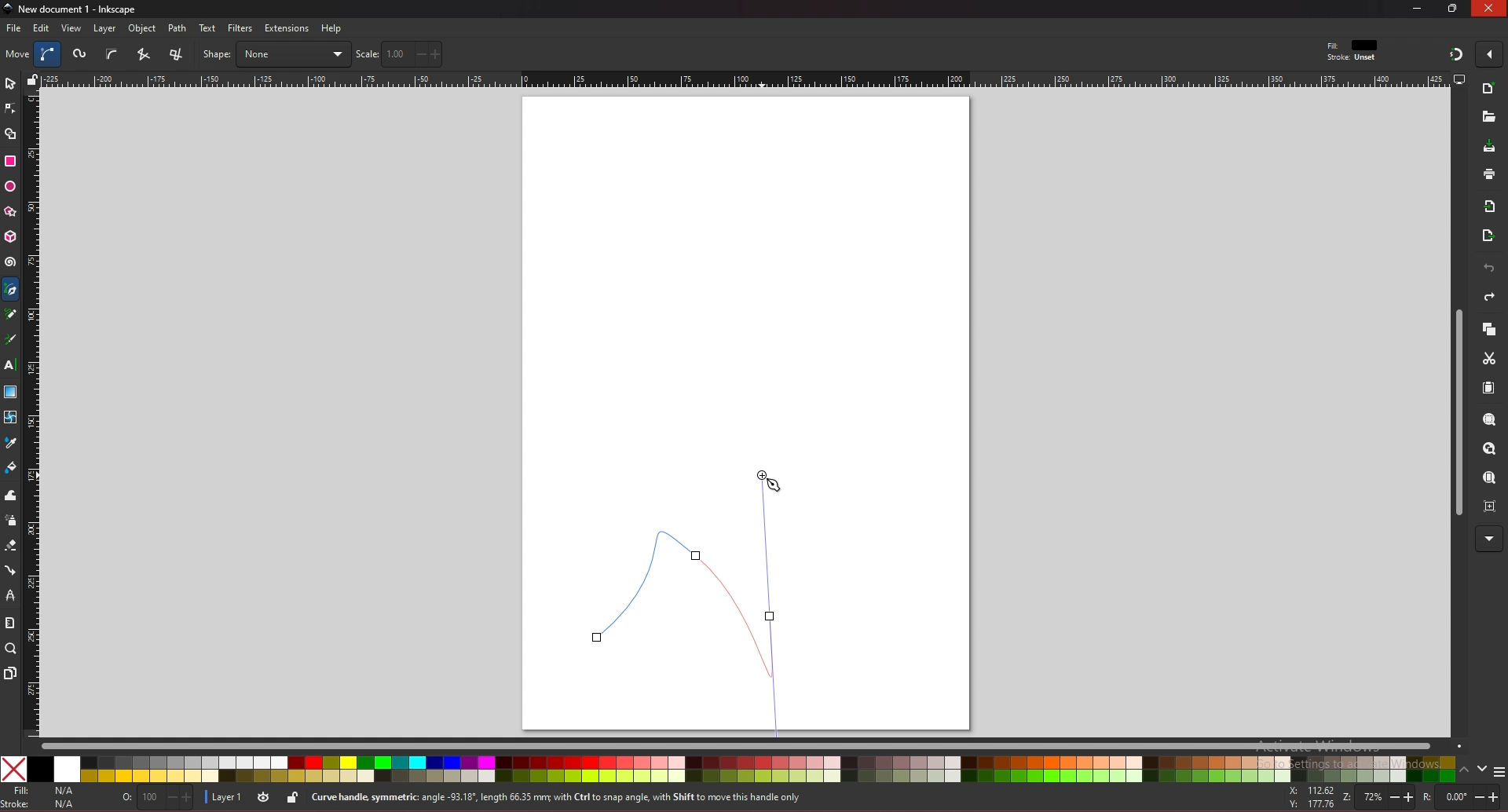 The height and width of the screenshot is (812, 1508). Describe the element at coordinates (751, 744) in the screenshot. I see `scroll bar` at that location.